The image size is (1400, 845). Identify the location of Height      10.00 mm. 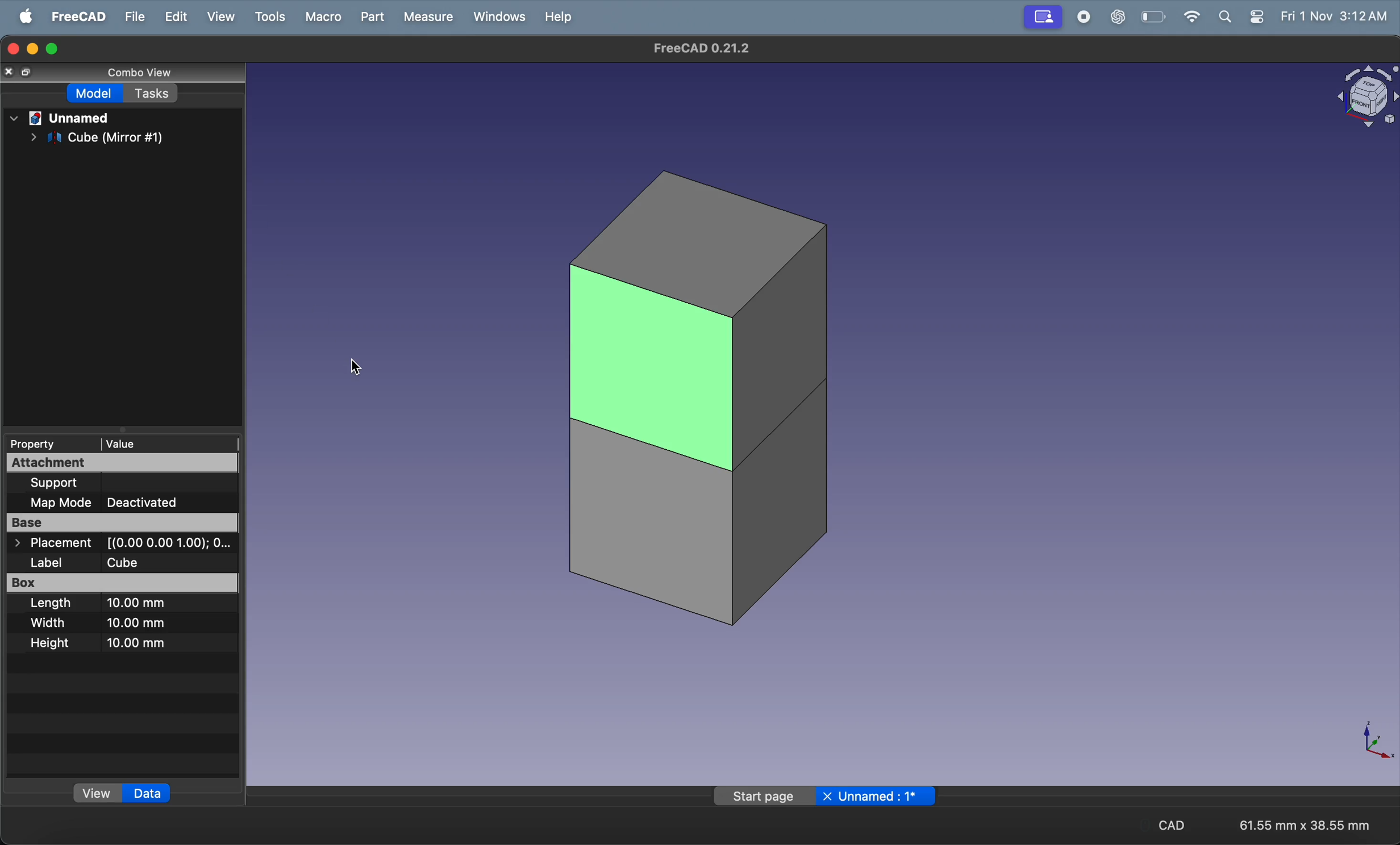
(106, 642).